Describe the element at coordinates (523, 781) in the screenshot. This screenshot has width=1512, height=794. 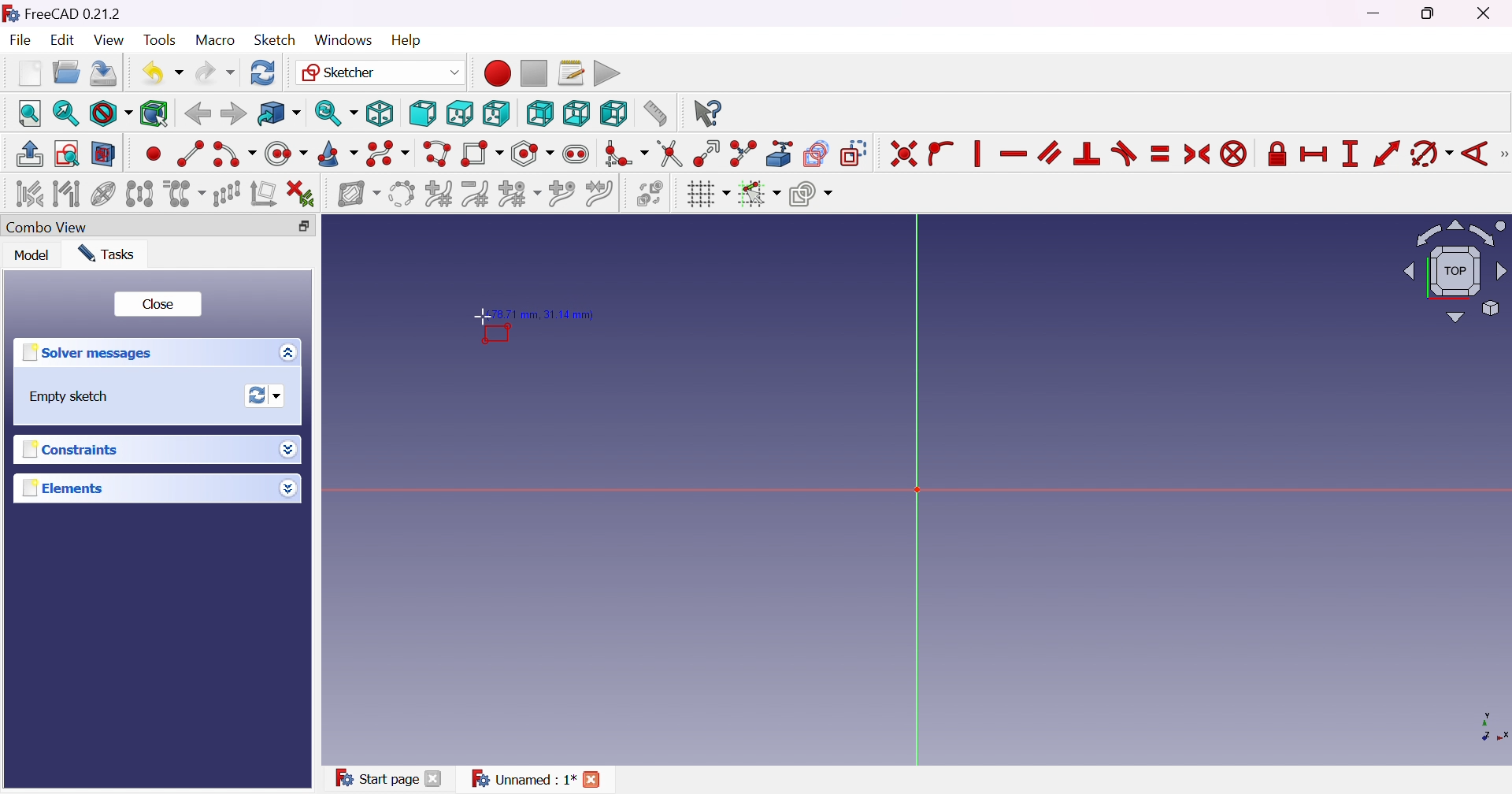
I see `Unnamed:1*` at that location.